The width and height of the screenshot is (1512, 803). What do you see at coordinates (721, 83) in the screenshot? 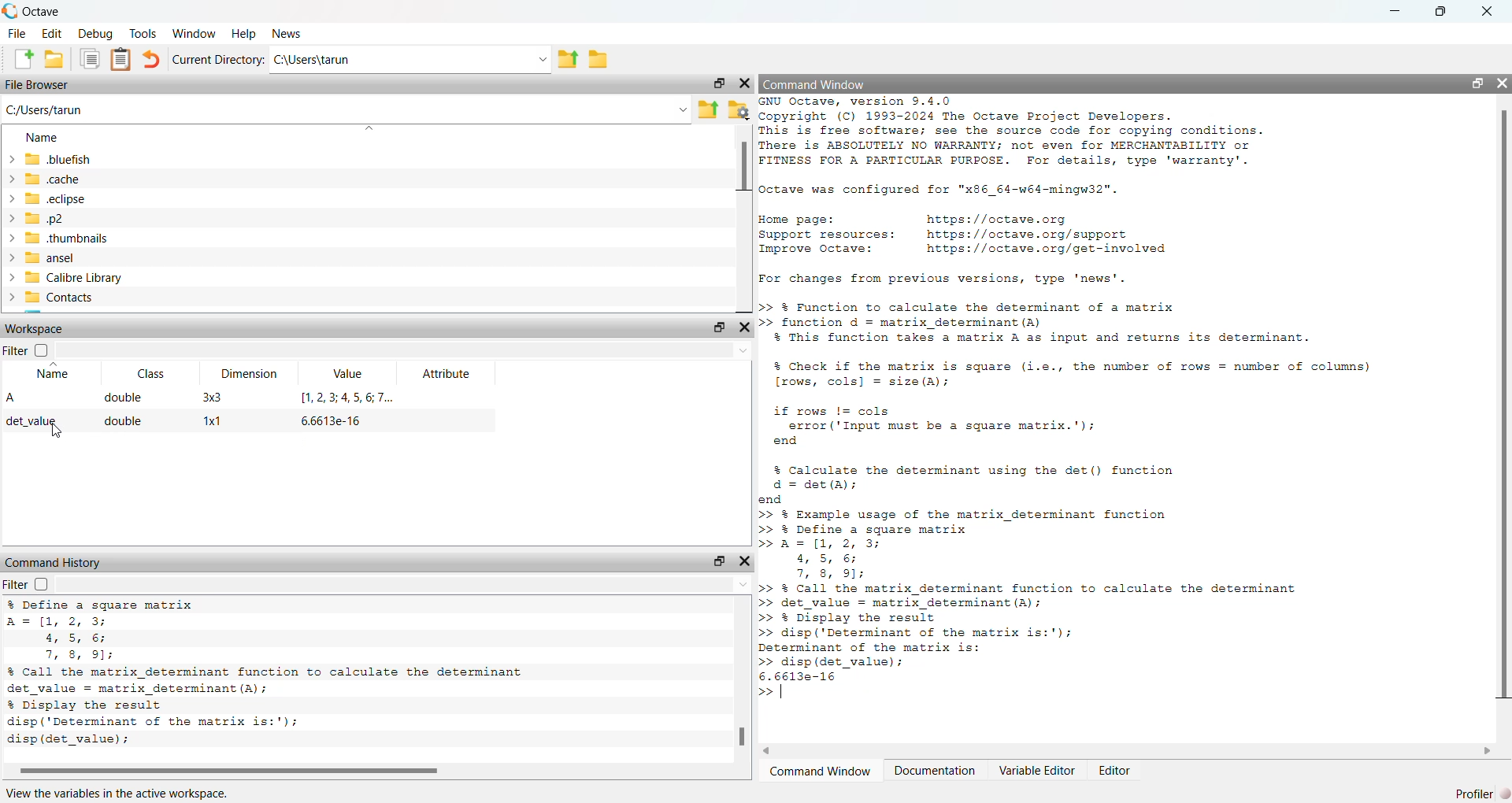
I see `maximize` at bounding box center [721, 83].